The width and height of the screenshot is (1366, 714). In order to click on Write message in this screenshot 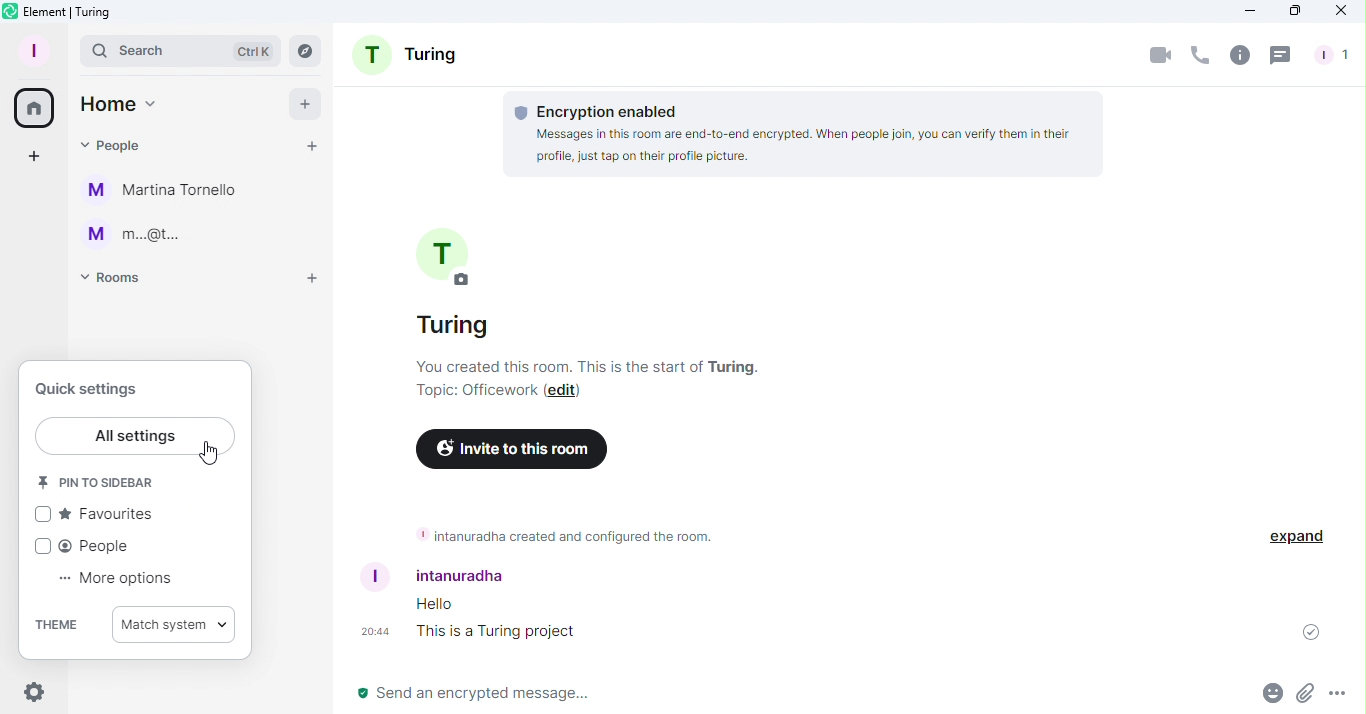, I will do `click(793, 692)`.